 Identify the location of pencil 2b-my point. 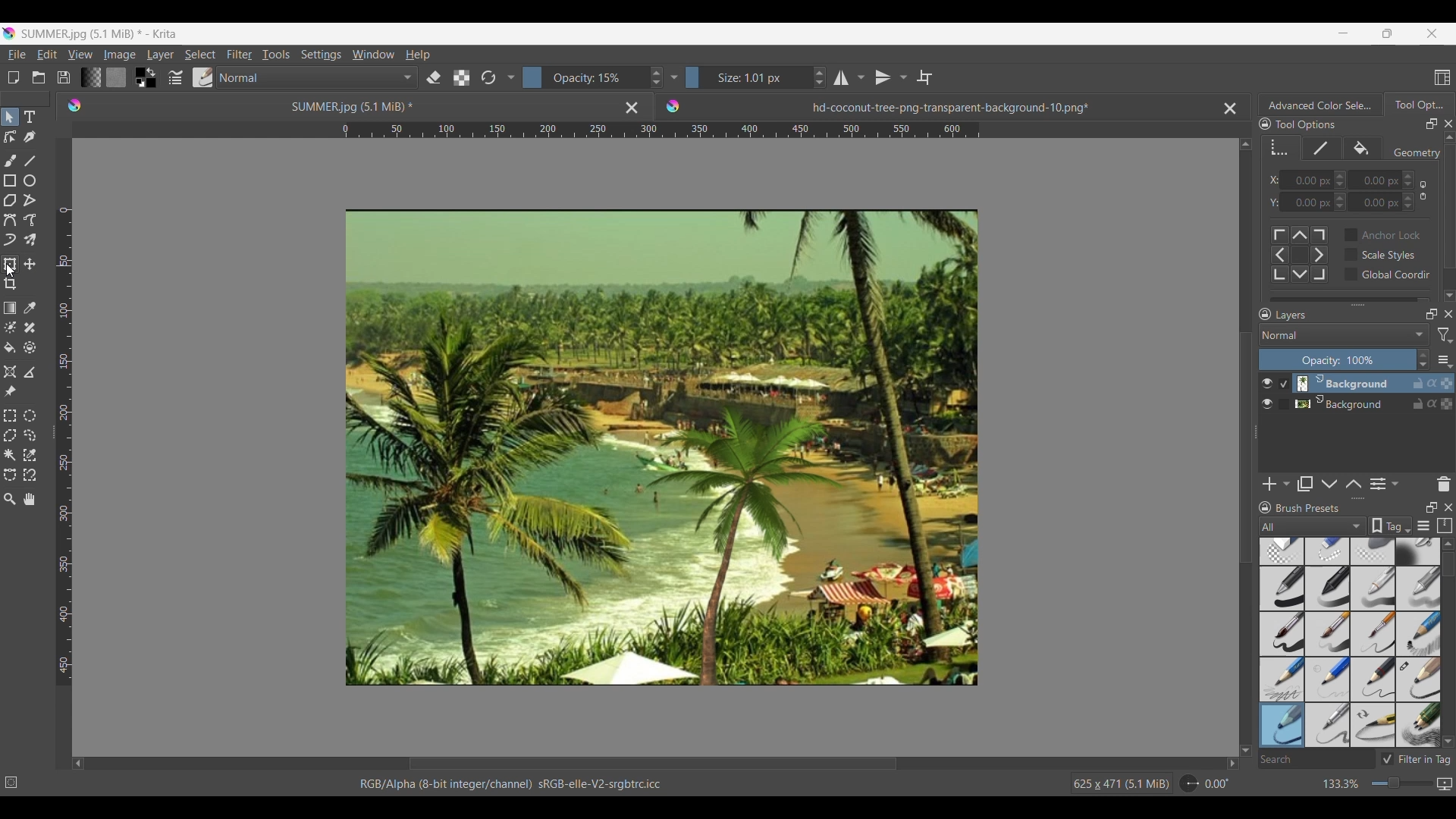
(1280, 678).